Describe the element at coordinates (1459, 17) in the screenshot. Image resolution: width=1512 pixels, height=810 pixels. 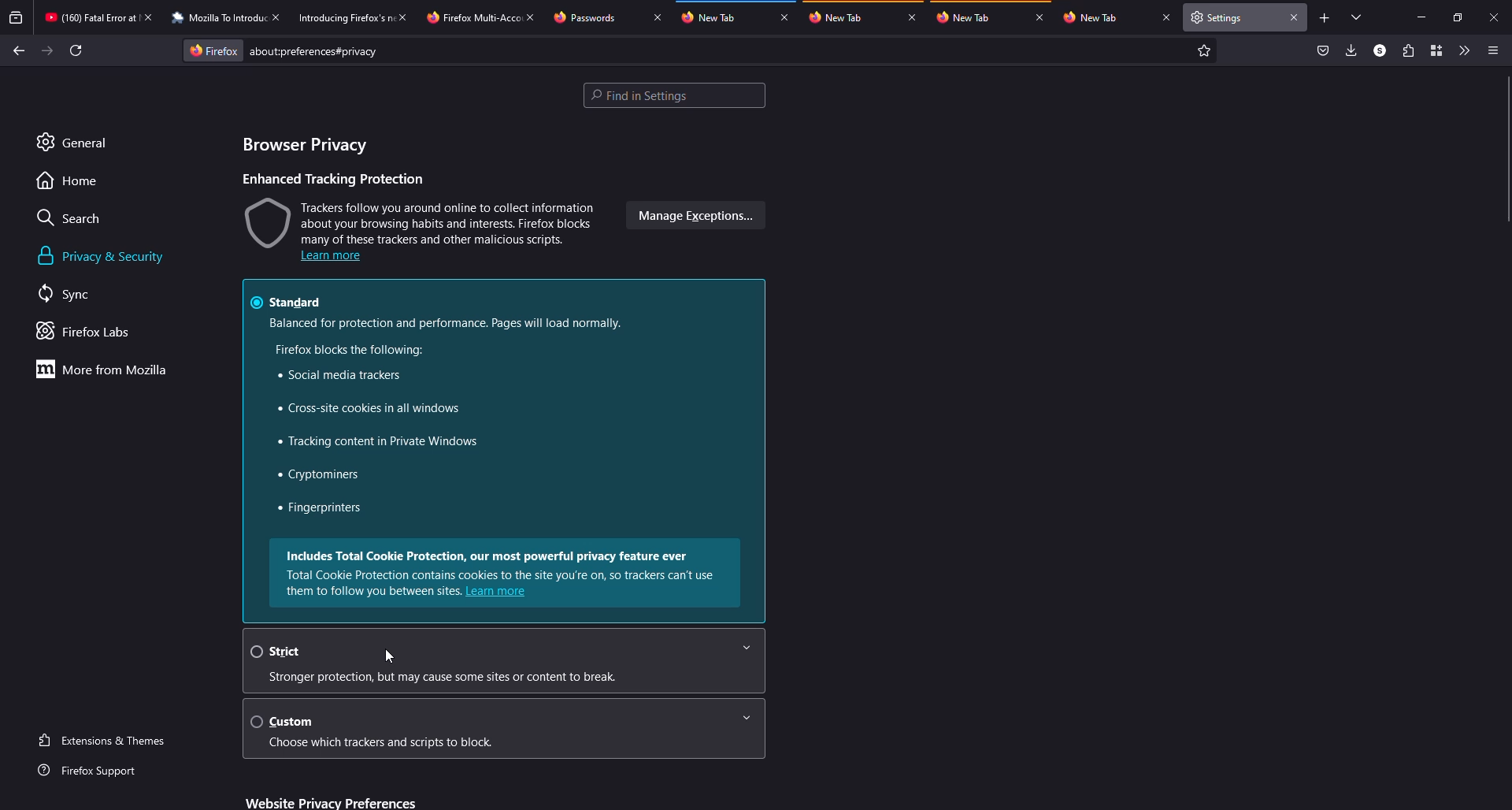
I see `maximize` at that location.